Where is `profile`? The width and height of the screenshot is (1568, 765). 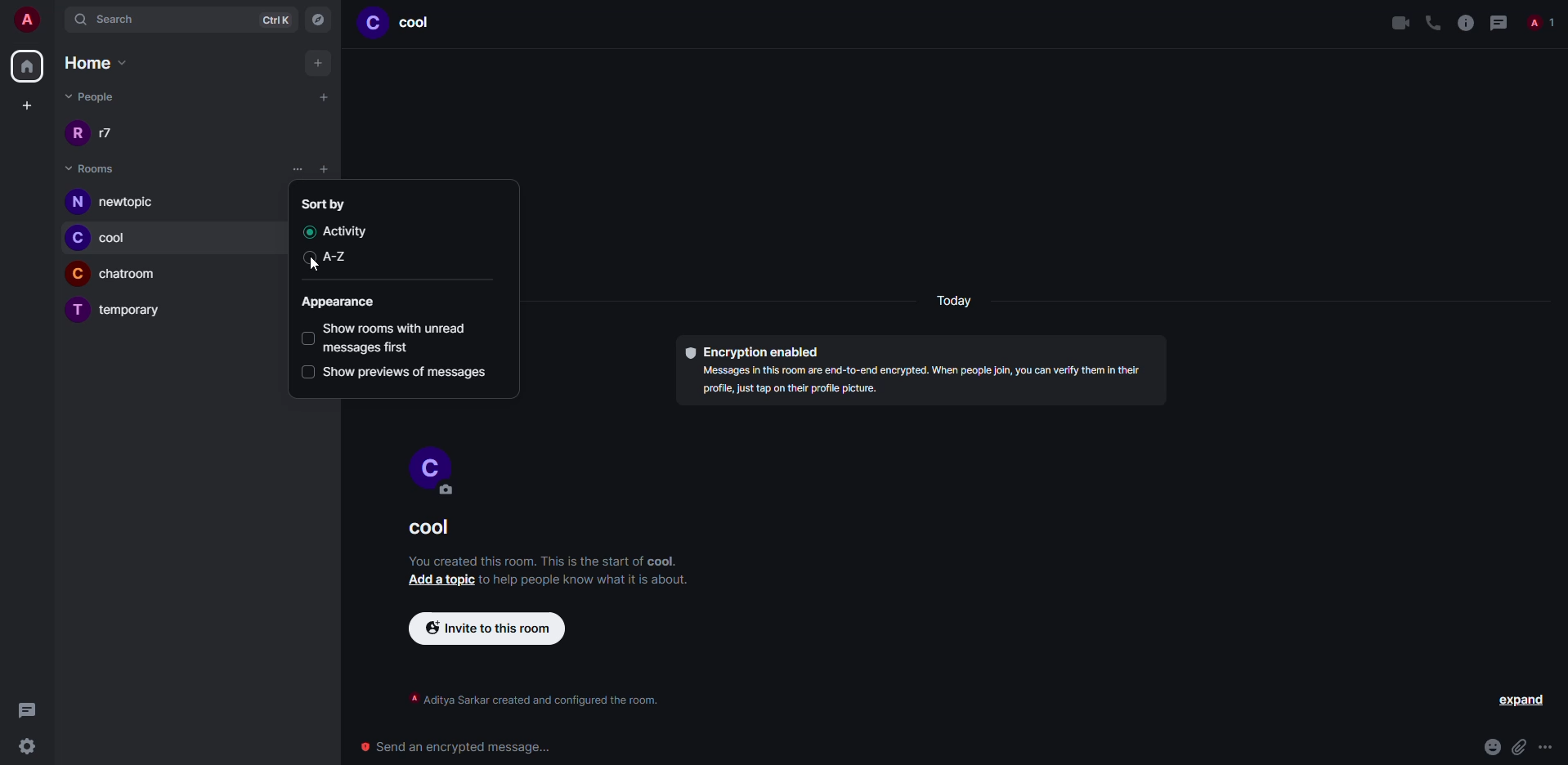
profile is located at coordinates (77, 274).